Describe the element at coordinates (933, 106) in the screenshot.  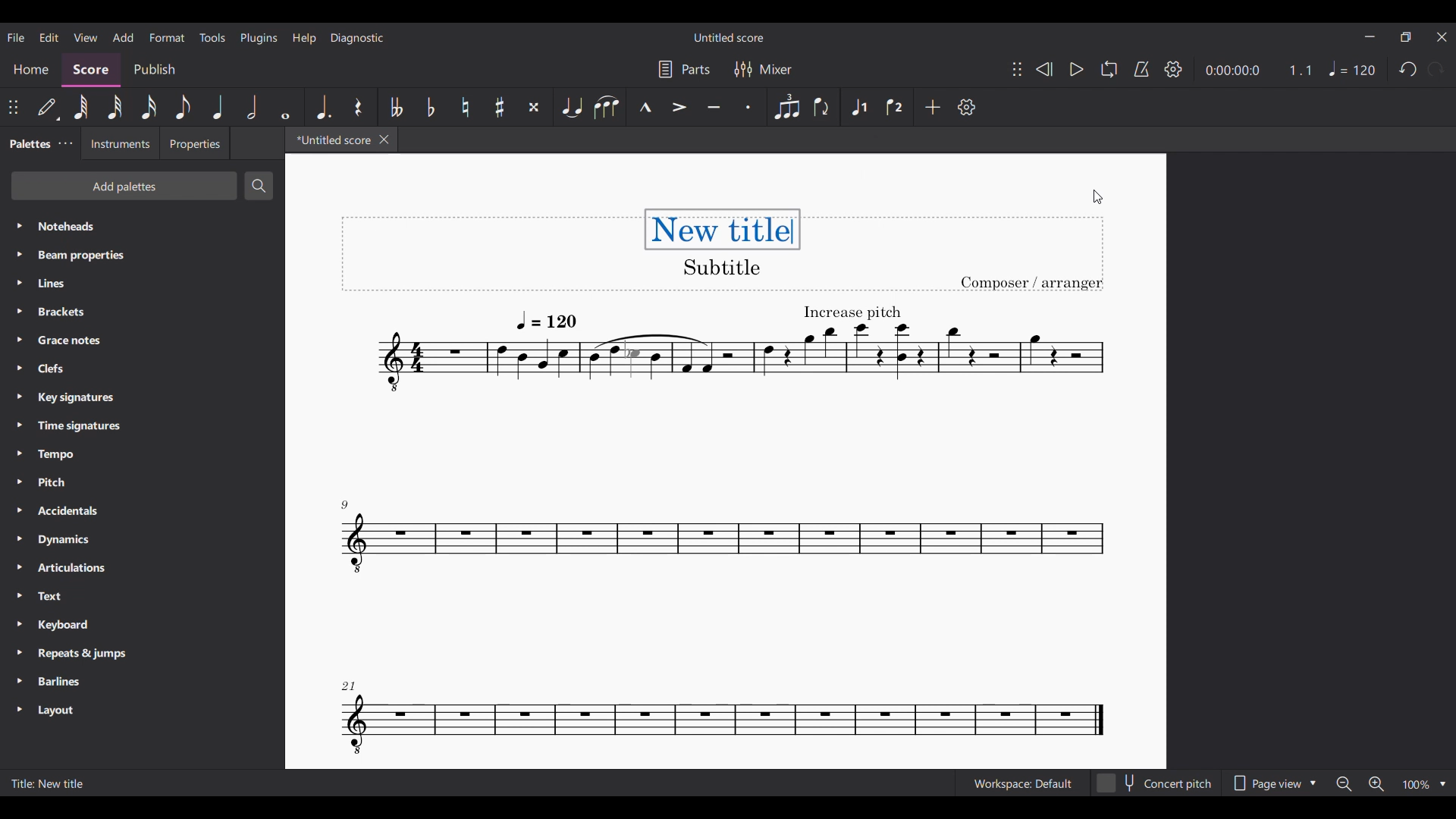
I see `Add` at that location.